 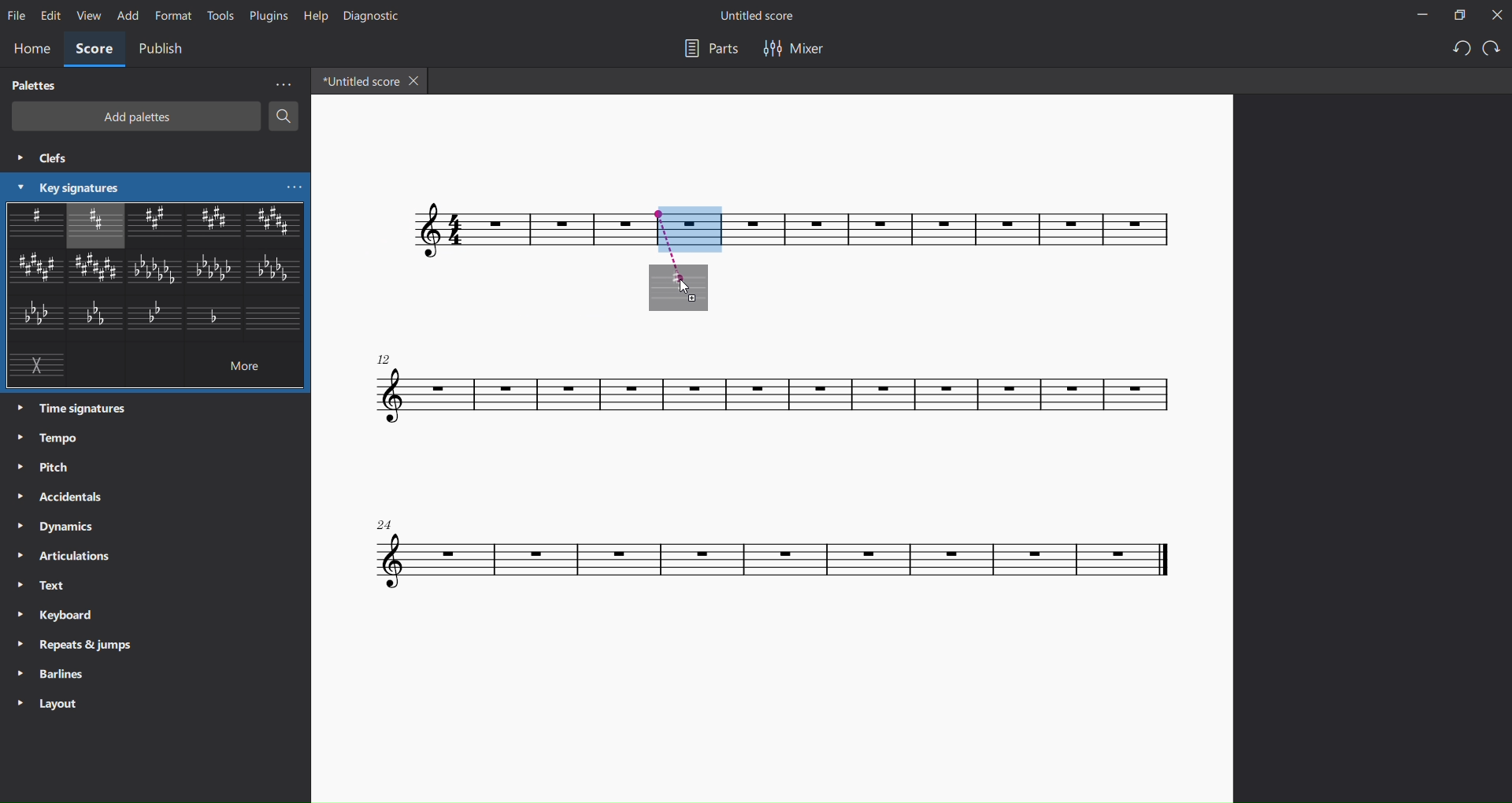 What do you see at coordinates (1491, 48) in the screenshot?
I see `redo` at bounding box center [1491, 48].